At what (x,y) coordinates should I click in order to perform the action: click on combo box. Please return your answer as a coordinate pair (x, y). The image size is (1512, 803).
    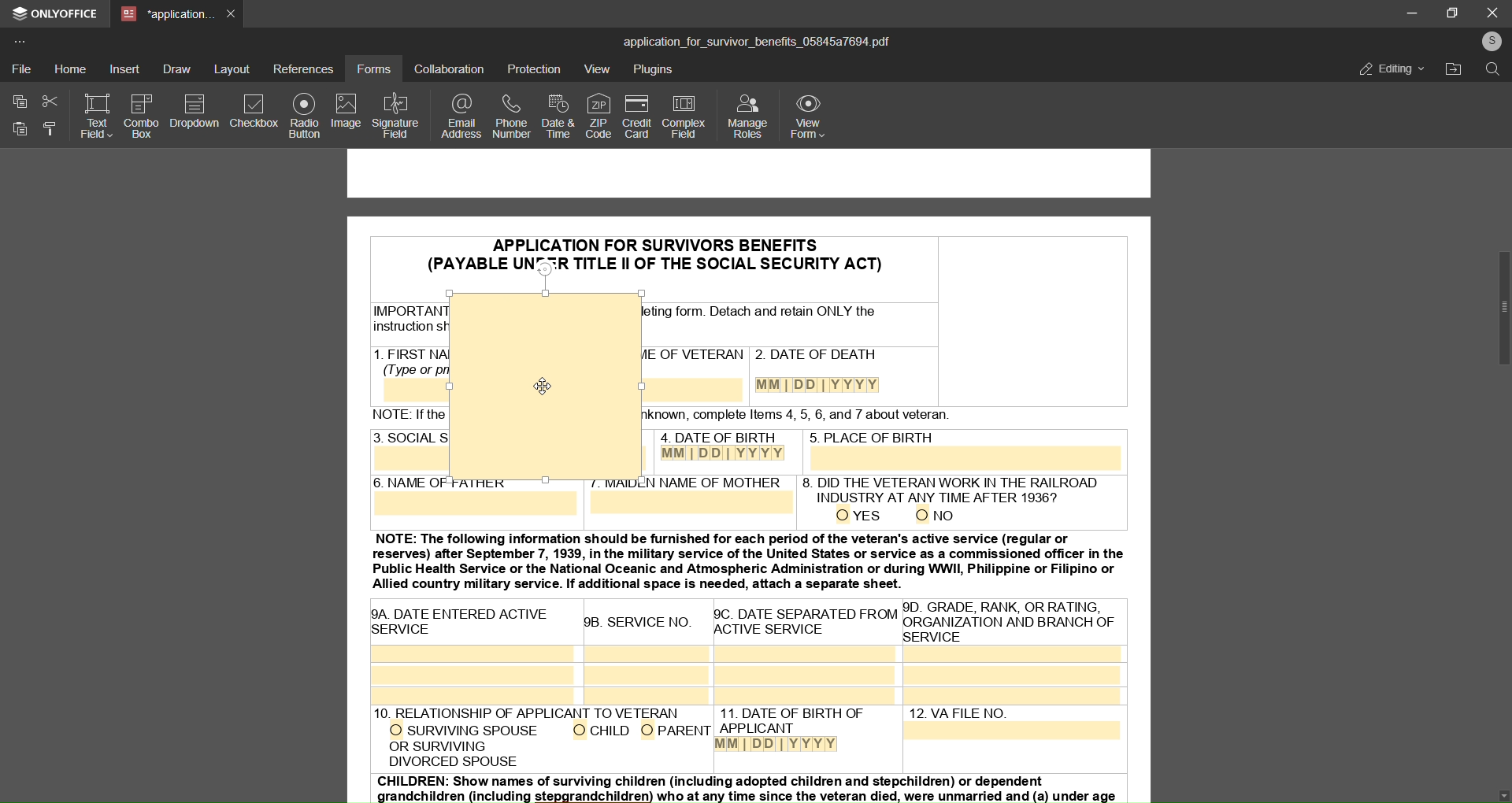
    Looking at the image, I should click on (142, 115).